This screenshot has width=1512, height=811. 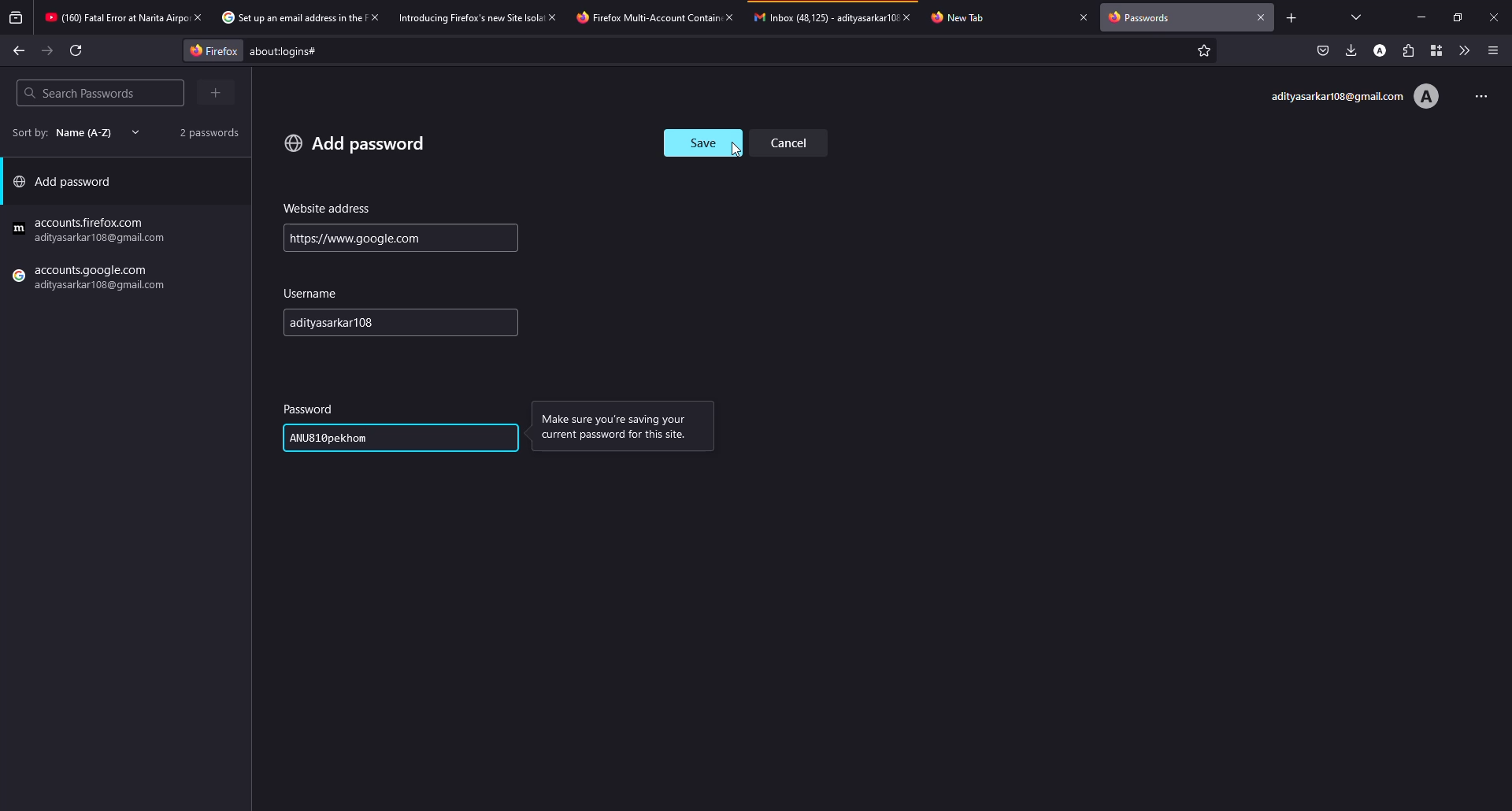 What do you see at coordinates (1357, 17) in the screenshot?
I see `view tab` at bounding box center [1357, 17].